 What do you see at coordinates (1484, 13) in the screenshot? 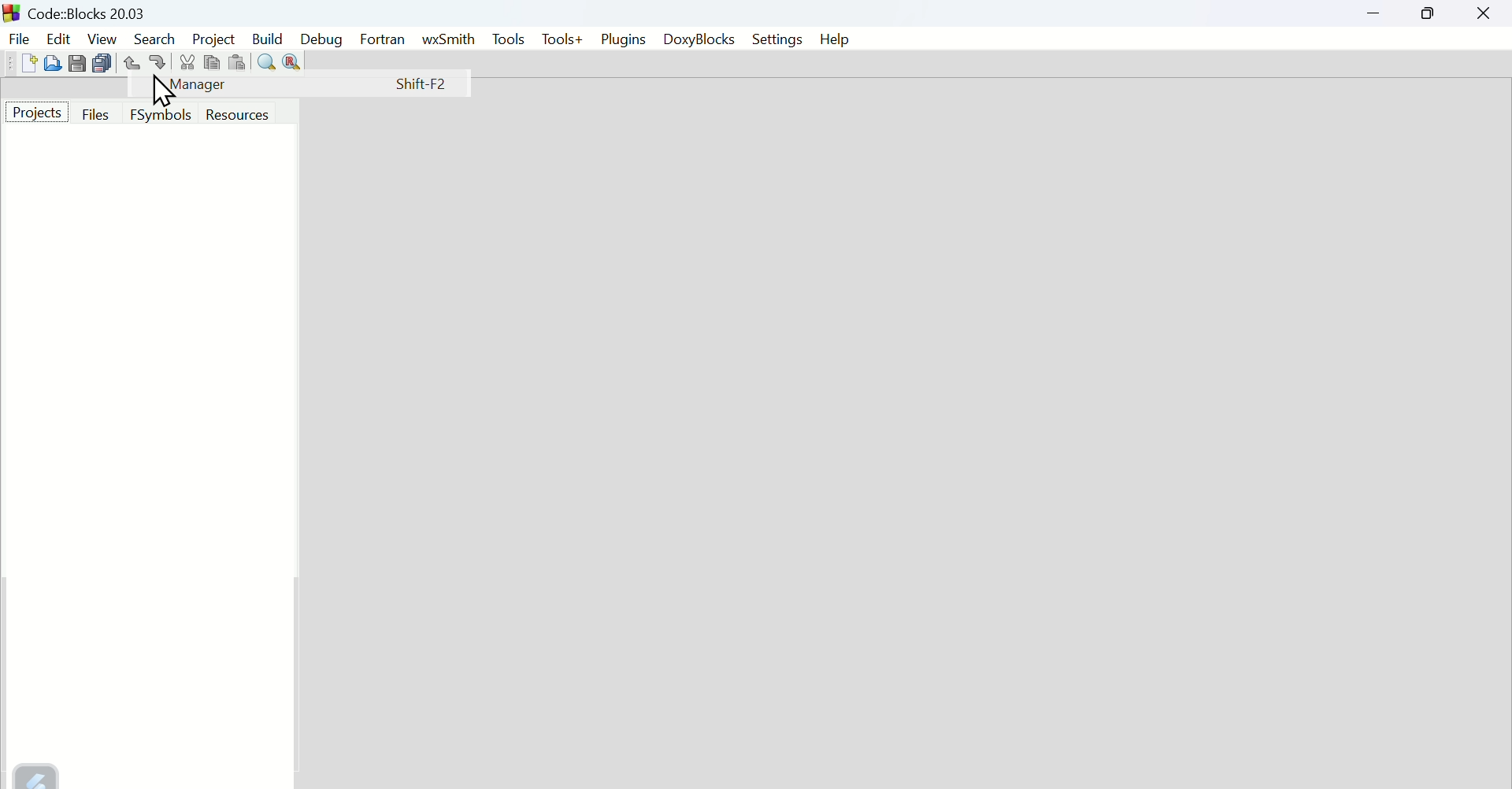
I see `Close` at bounding box center [1484, 13].